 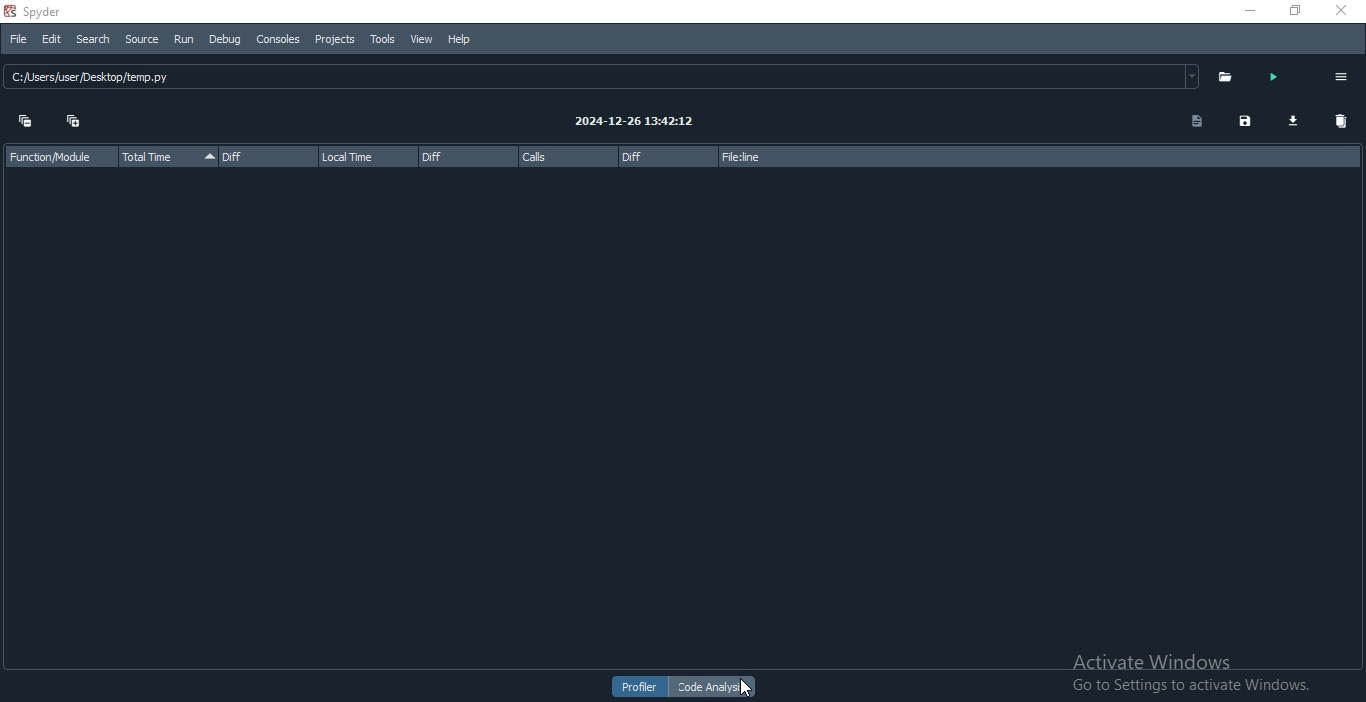 I want to click on Help, so click(x=461, y=41).